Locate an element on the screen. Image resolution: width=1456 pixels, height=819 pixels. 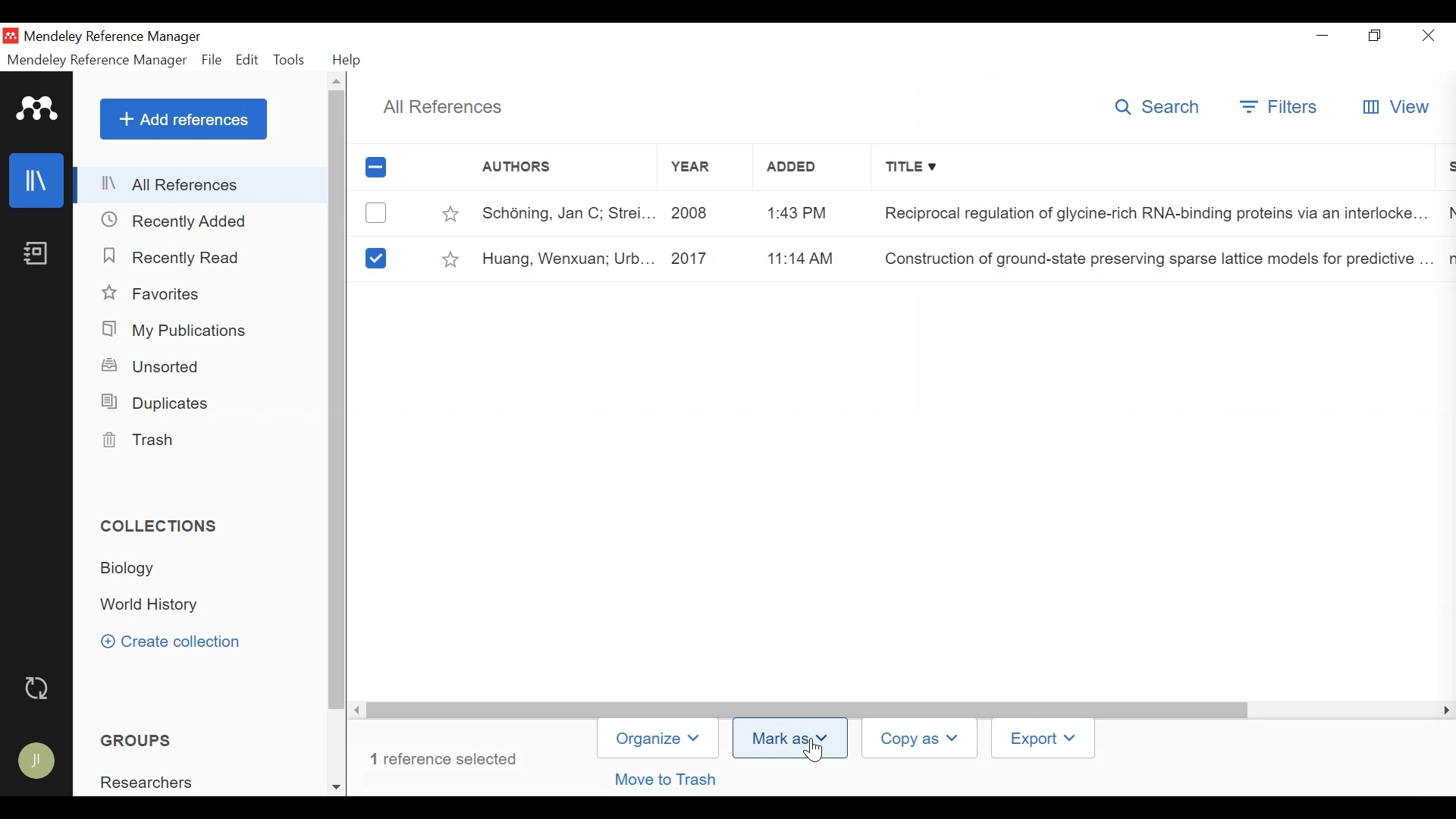
Export is located at coordinates (1046, 738).